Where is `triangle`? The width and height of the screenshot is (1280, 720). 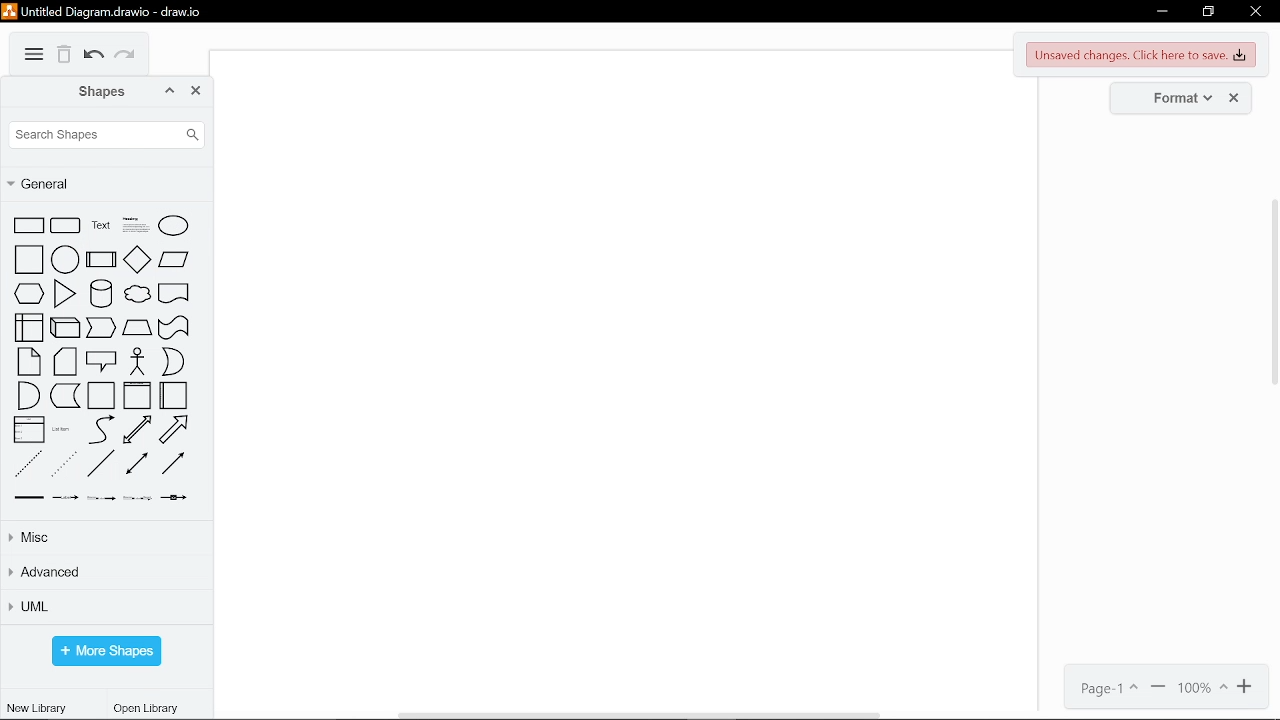
triangle is located at coordinates (64, 295).